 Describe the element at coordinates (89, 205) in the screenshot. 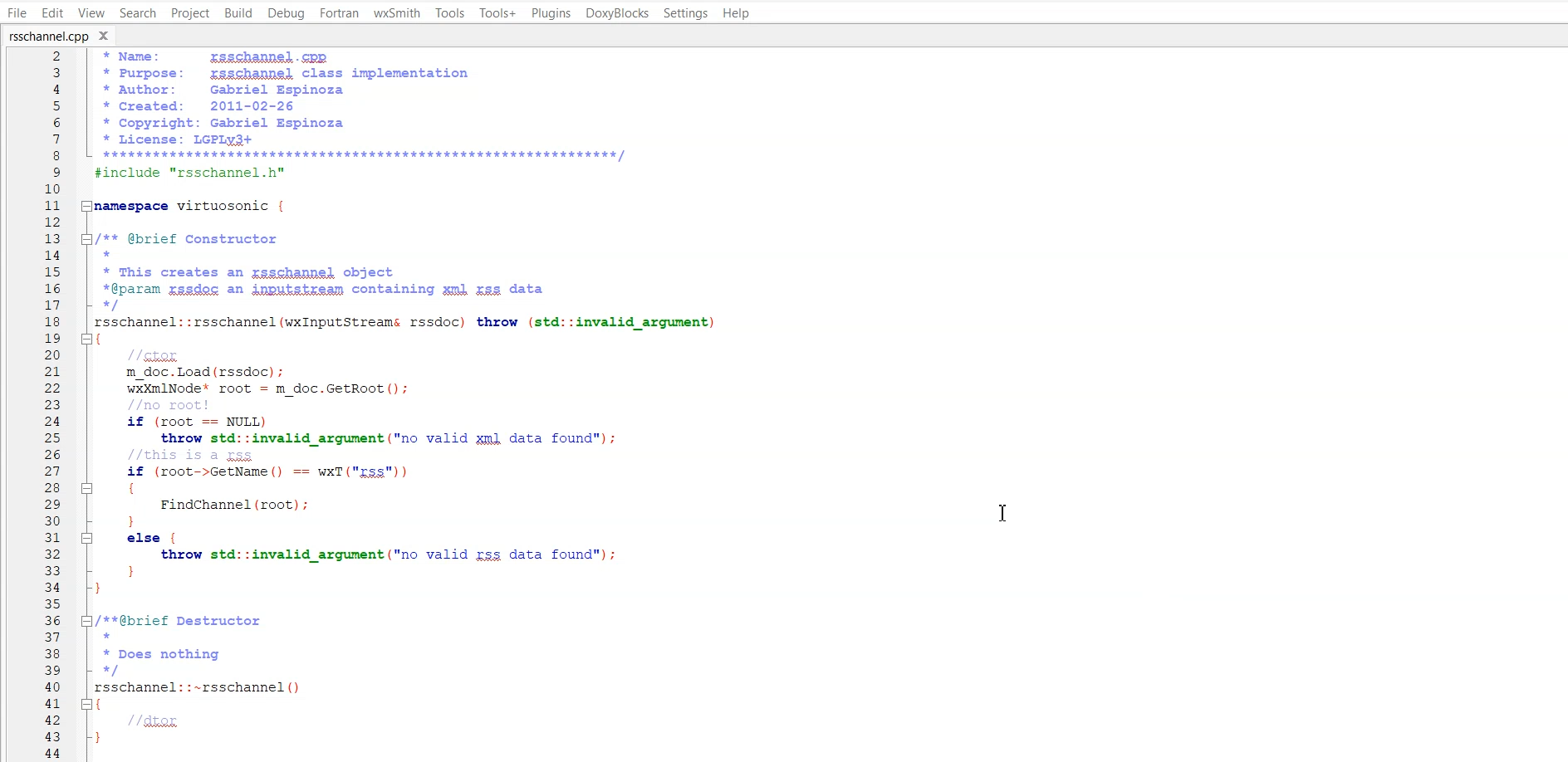

I see `Collapse` at that location.